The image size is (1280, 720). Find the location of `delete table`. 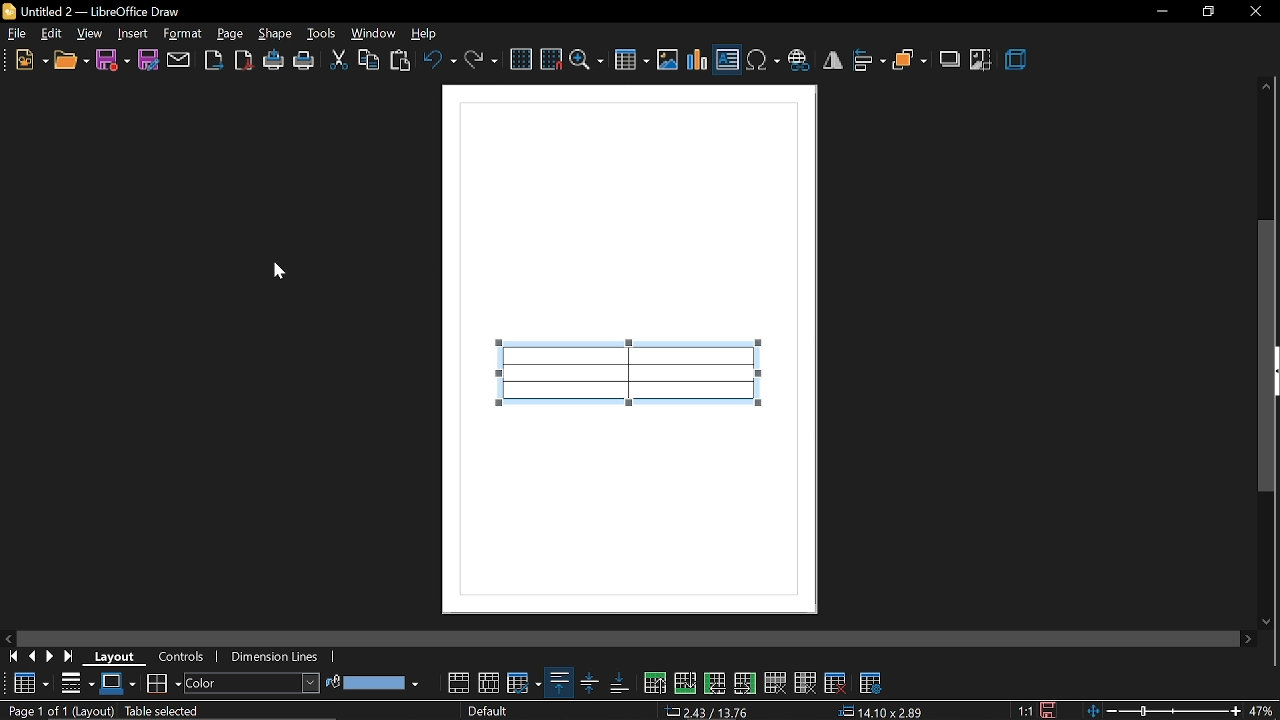

delete table is located at coordinates (838, 685).